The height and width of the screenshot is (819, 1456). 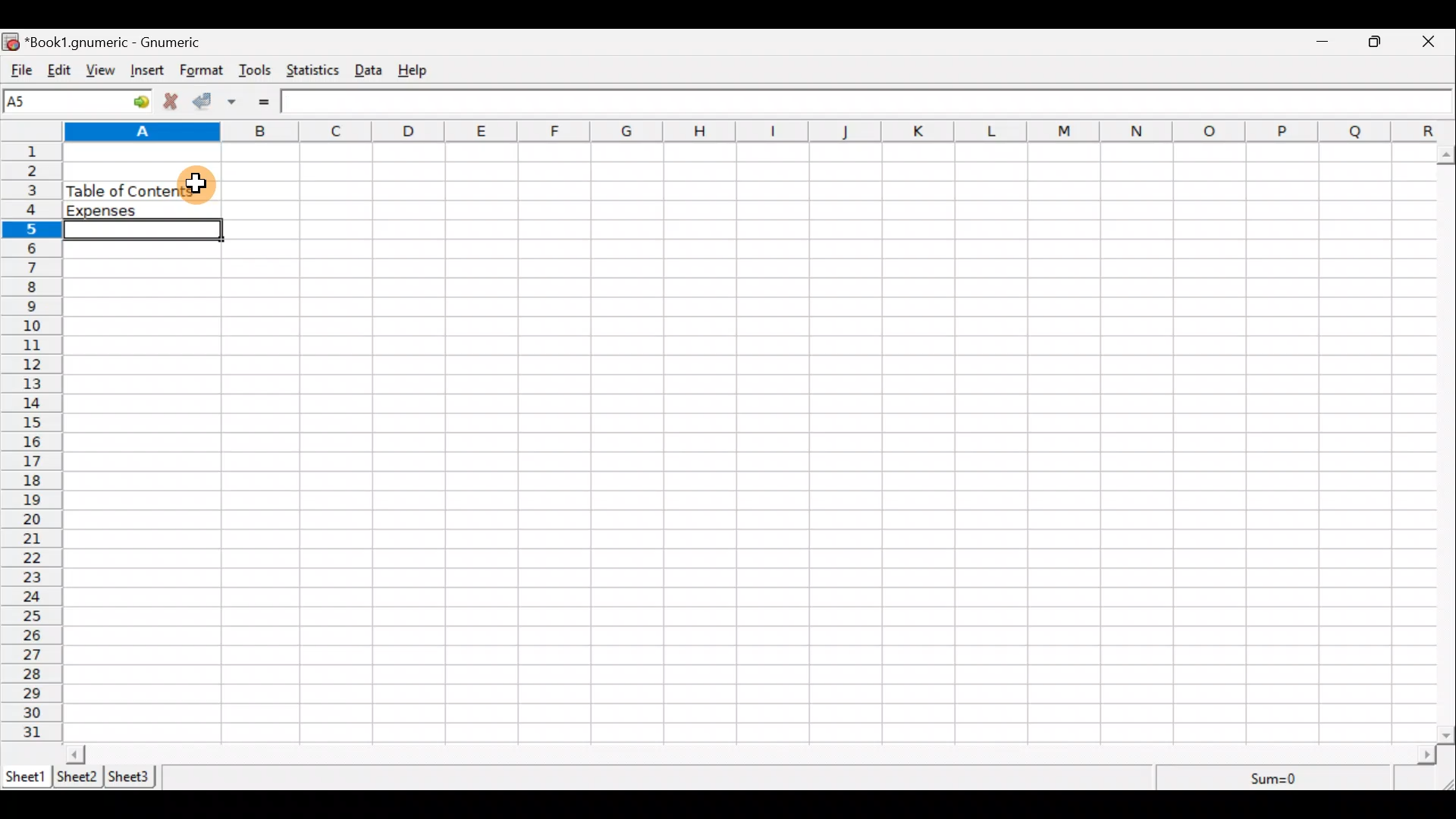 What do you see at coordinates (868, 100) in the screenshot?
I see `Formula bar` at bounding box center [868, 100].